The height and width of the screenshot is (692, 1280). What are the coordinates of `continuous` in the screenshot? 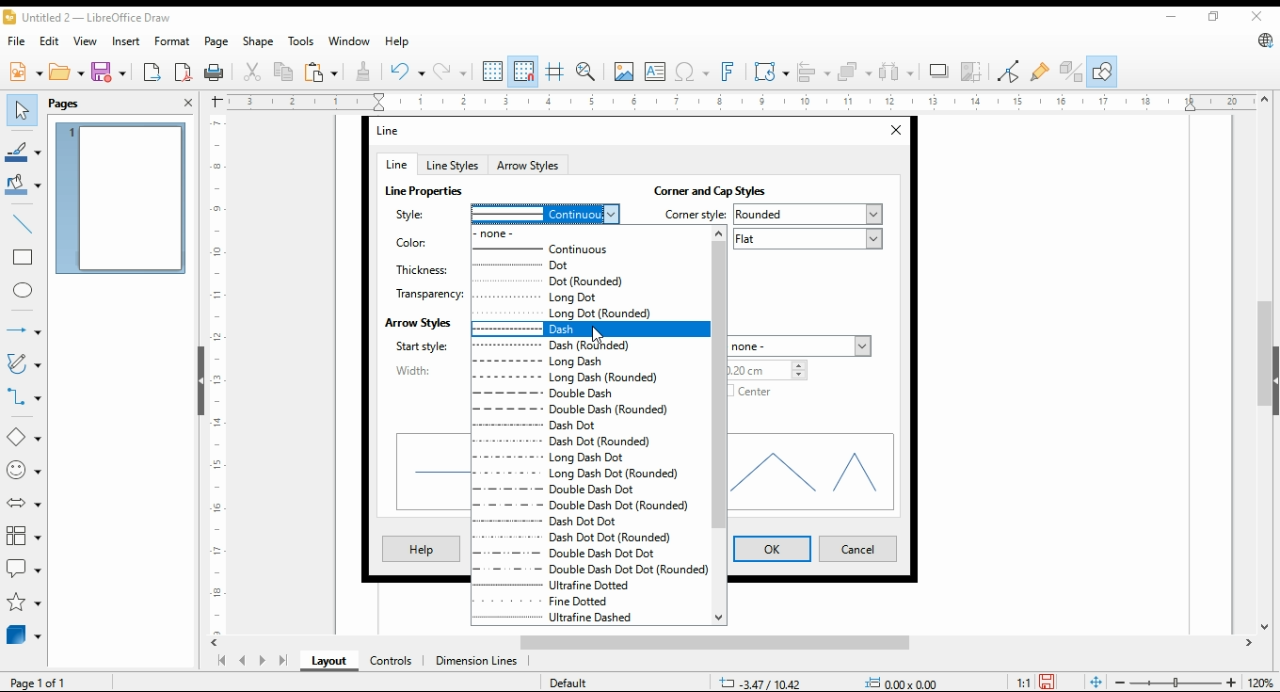 It's located at (589, 249).